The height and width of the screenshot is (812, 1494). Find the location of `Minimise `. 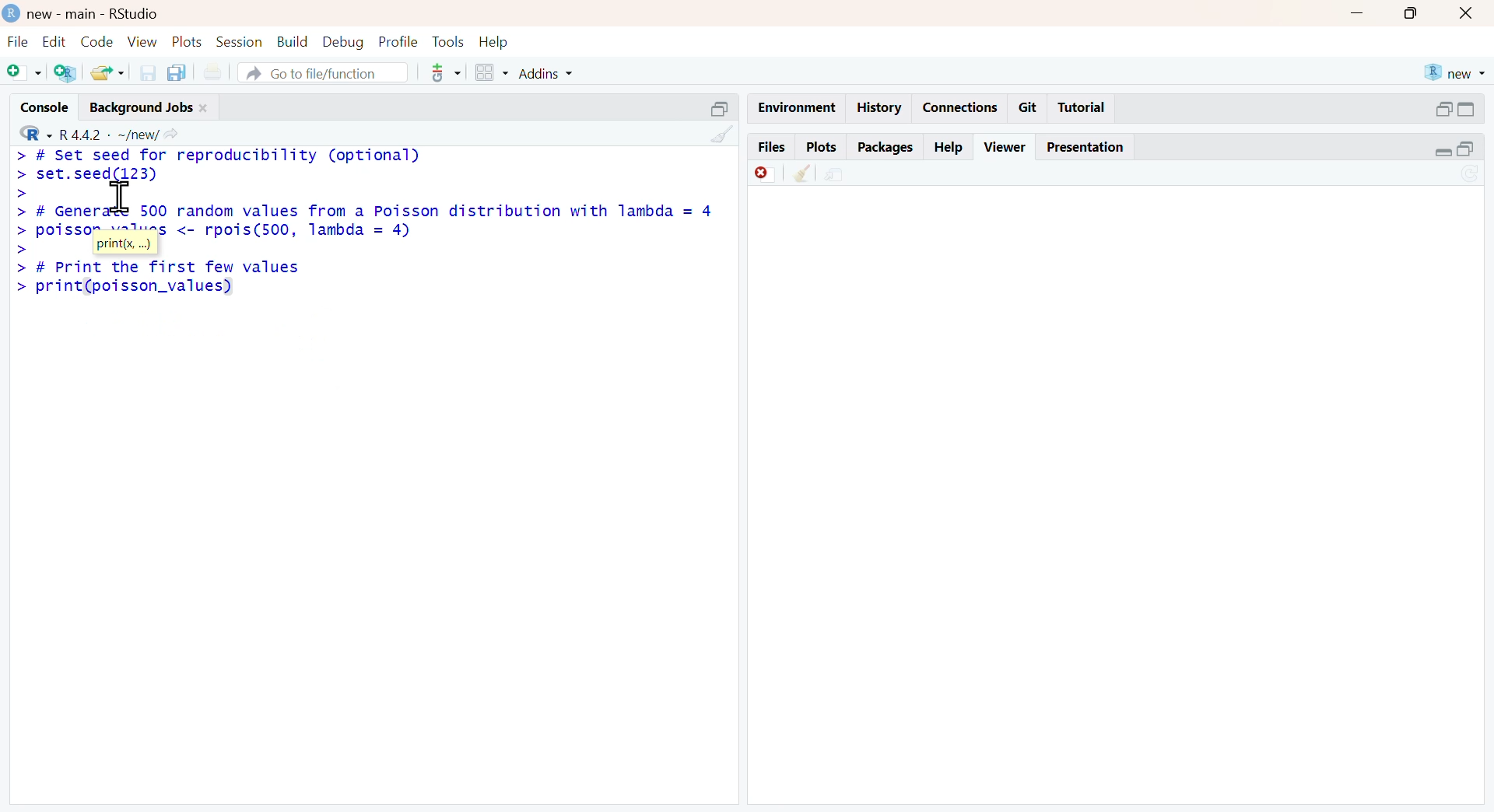

Minimise  is located at coordinates (1360, 12).